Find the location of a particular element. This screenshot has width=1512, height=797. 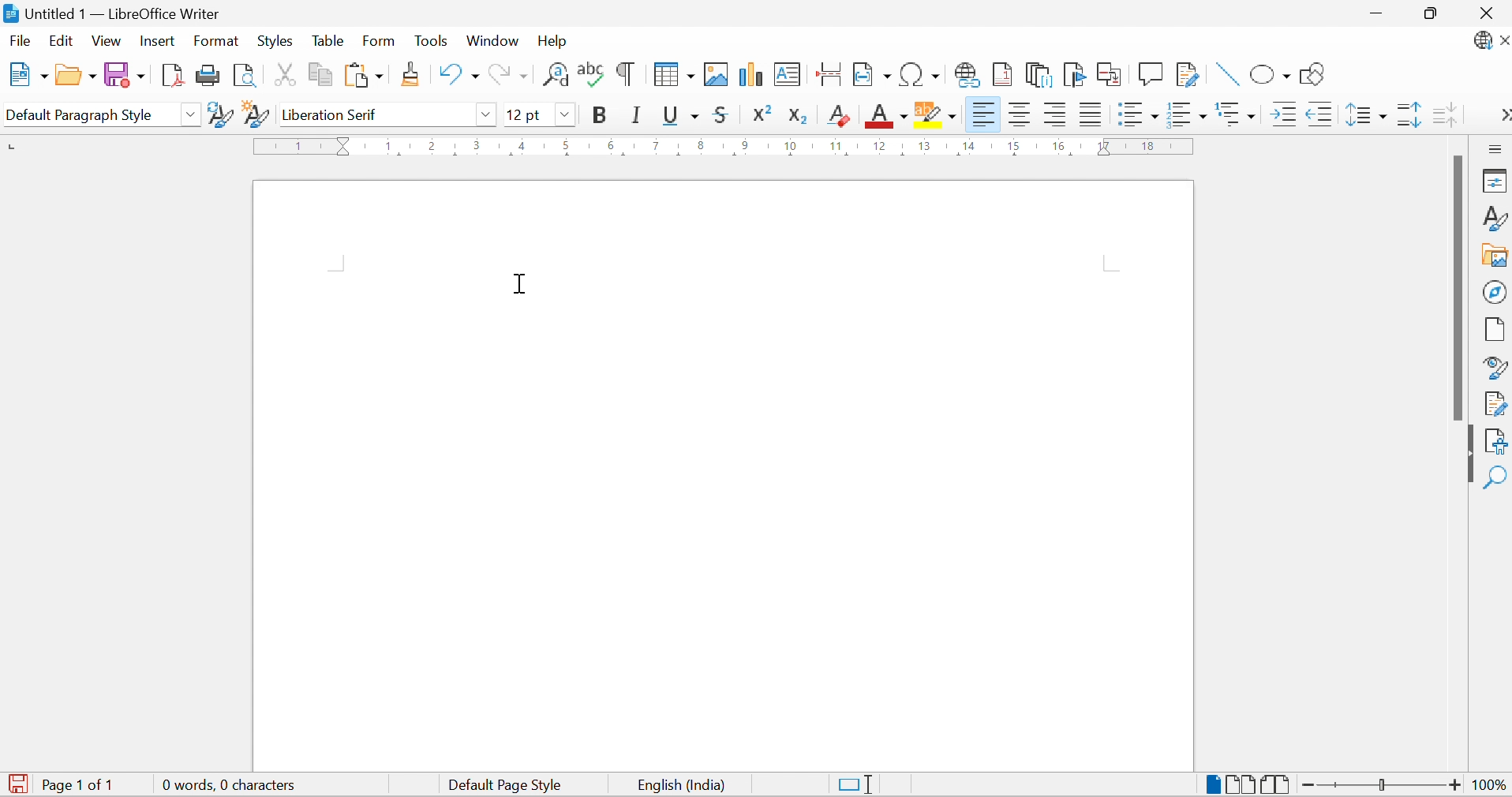

New Style from Selection is located at coordinates (256, 114).